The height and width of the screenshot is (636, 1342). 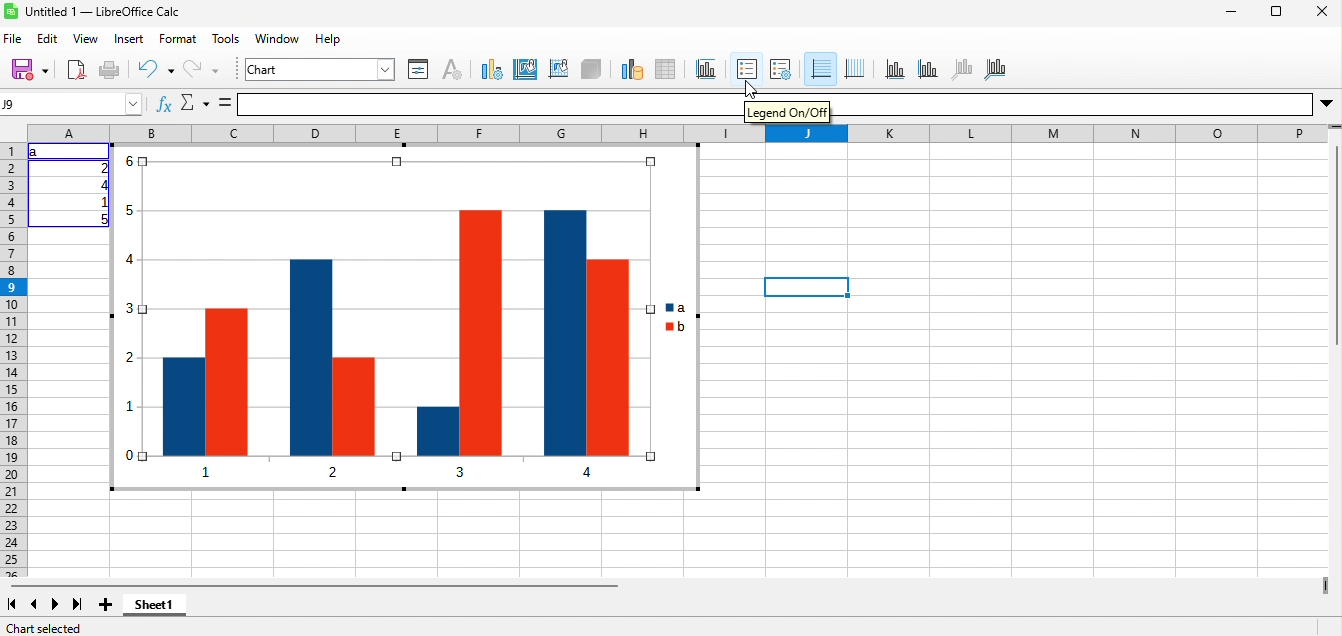 What do you see at coordinates (78, 605) in the screenshot?
I see `last sheet` at bounding box center [78, 605].